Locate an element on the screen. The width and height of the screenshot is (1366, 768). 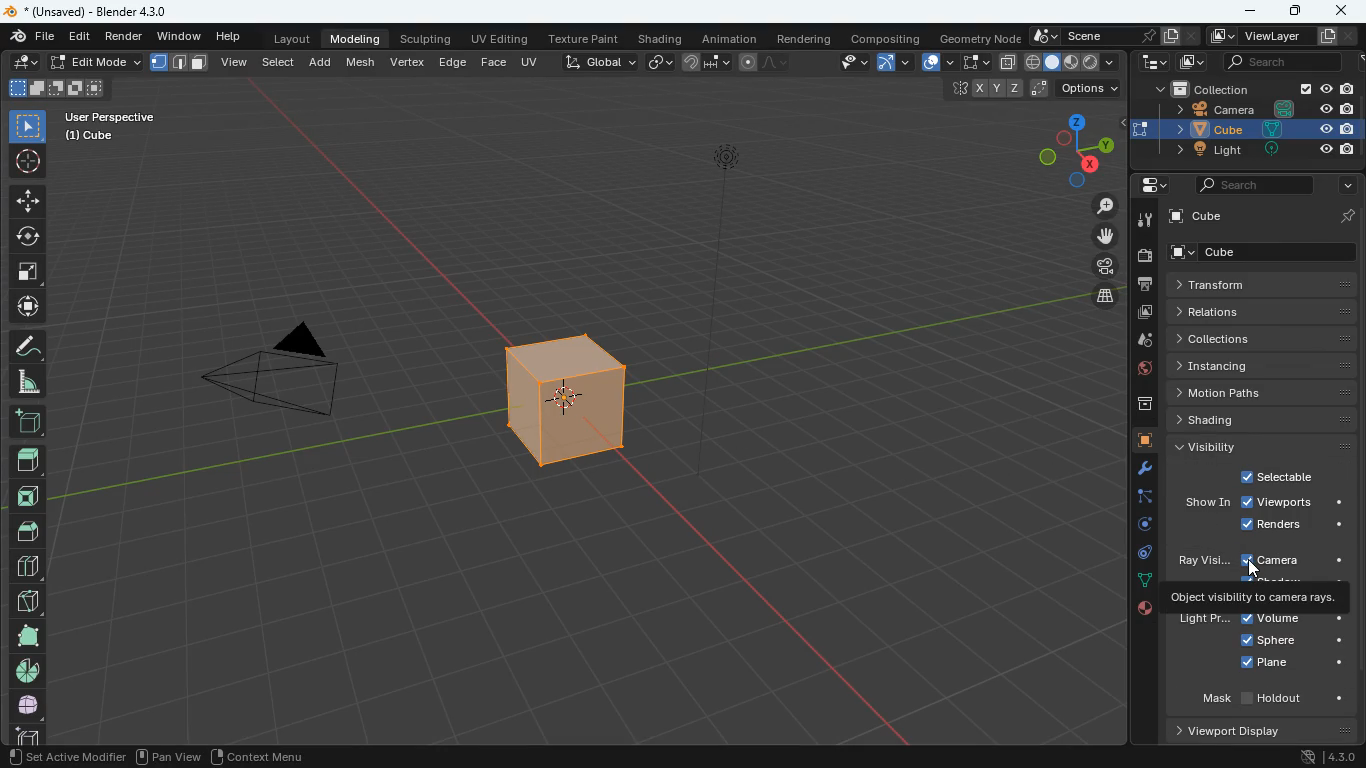
light is located at coordinates (1259, 150).